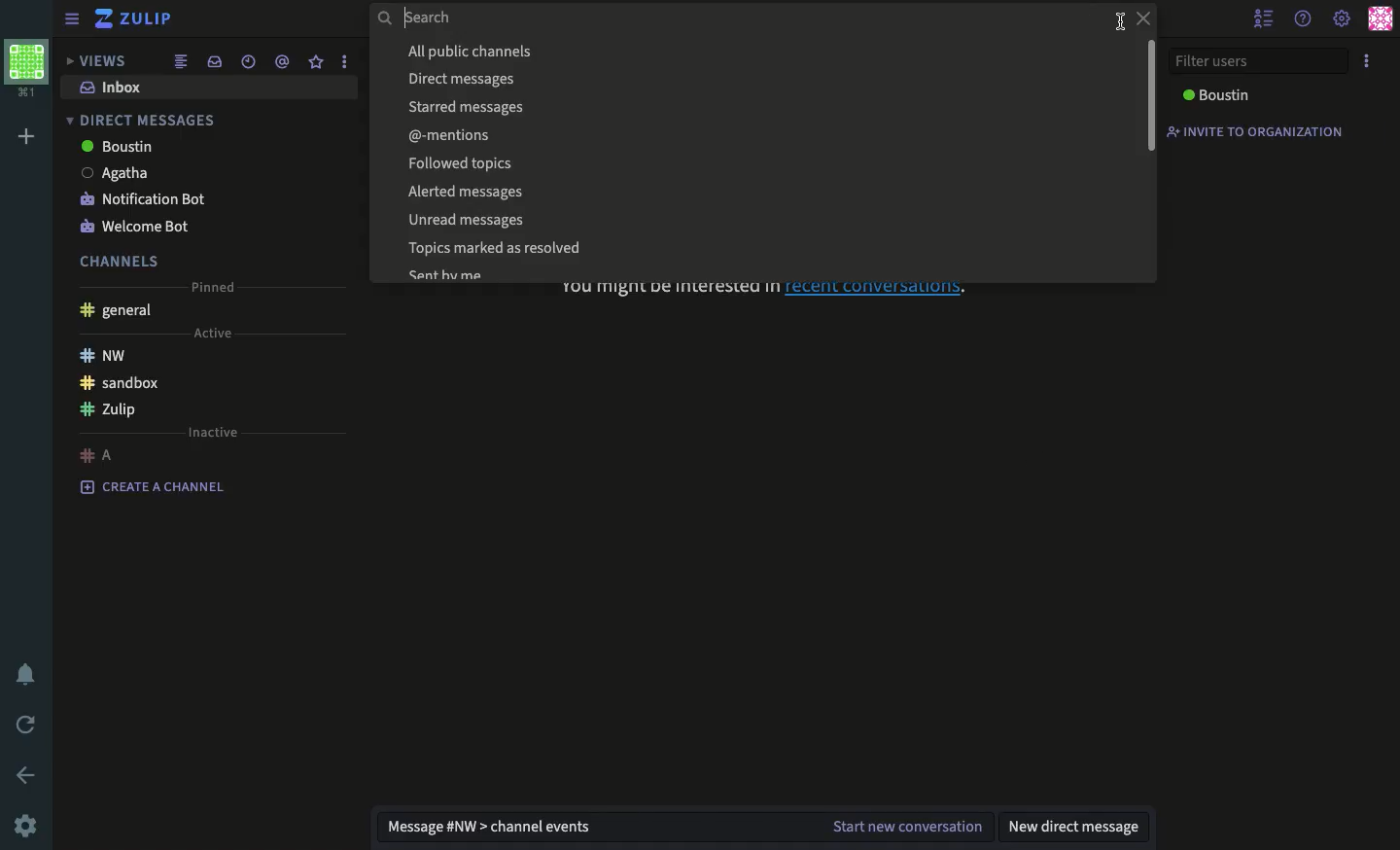  Describe the element at coordinates (738, 16) in the screenshot. I see `search` at that location.